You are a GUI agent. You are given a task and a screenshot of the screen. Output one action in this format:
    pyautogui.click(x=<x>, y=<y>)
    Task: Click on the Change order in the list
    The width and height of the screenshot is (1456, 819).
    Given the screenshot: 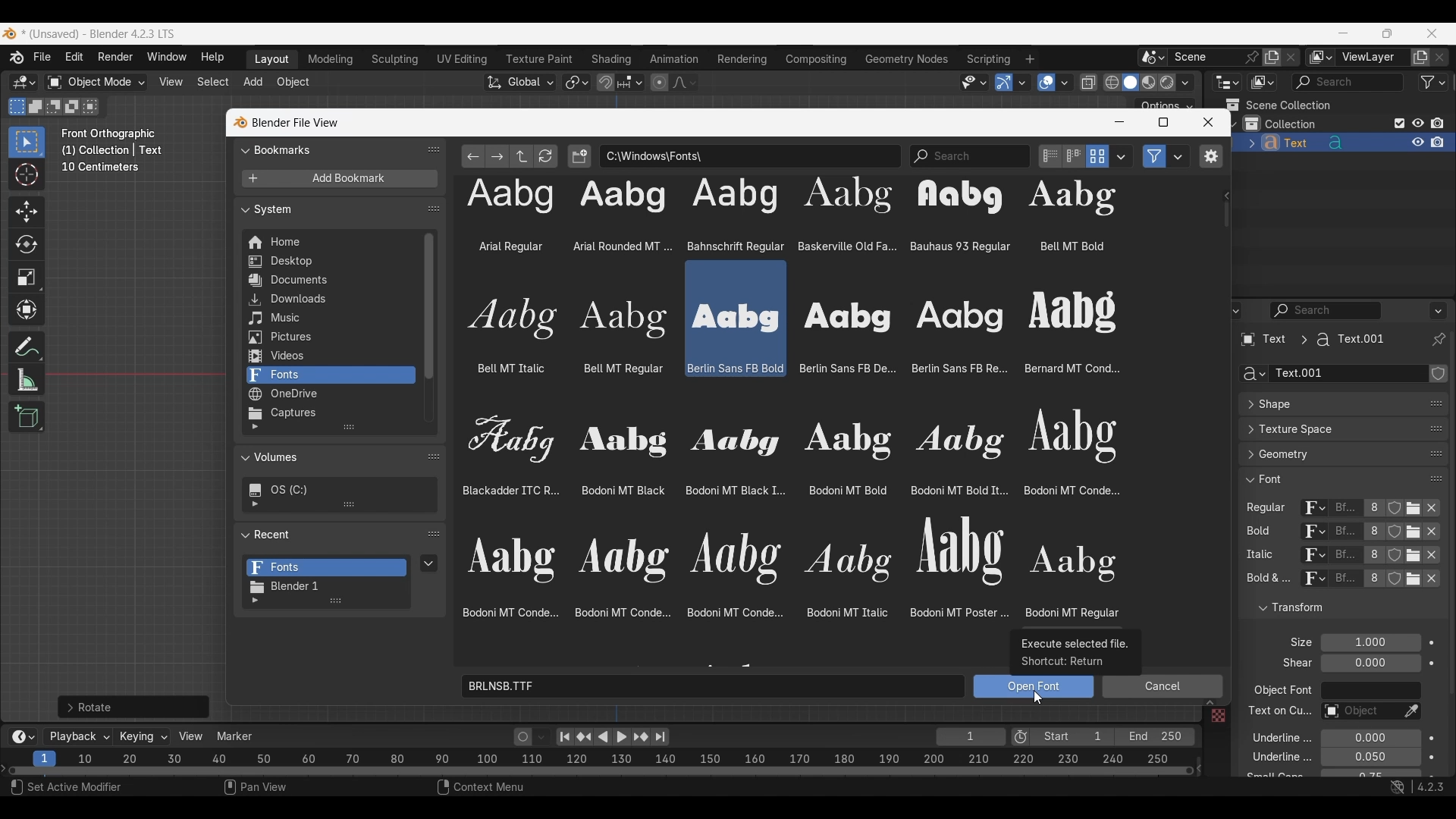 What is the action you would take?
    pyautogui.click(x=1436, y=626)
    